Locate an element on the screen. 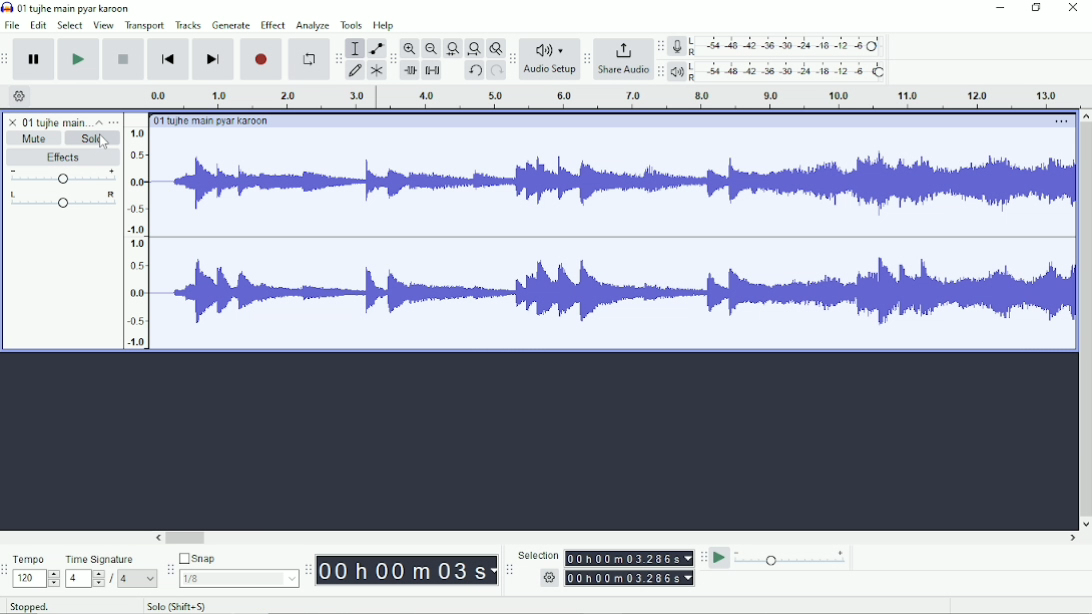 The width and height of the screenshot is (1092, 614). View is located at coordinates (104, 24).